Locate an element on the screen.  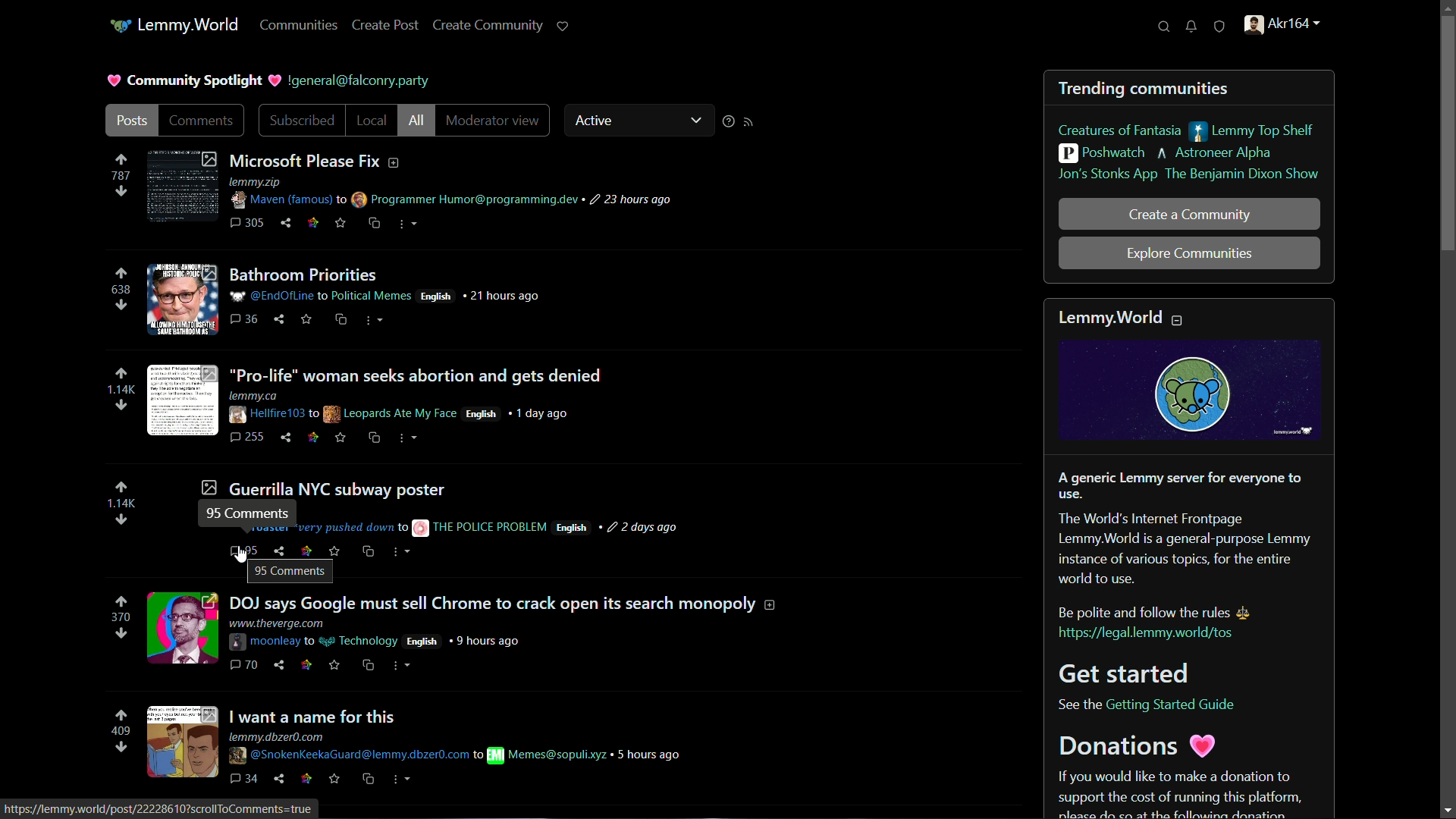
lemmy.dbzer)com is located at coordinates (281, 736).